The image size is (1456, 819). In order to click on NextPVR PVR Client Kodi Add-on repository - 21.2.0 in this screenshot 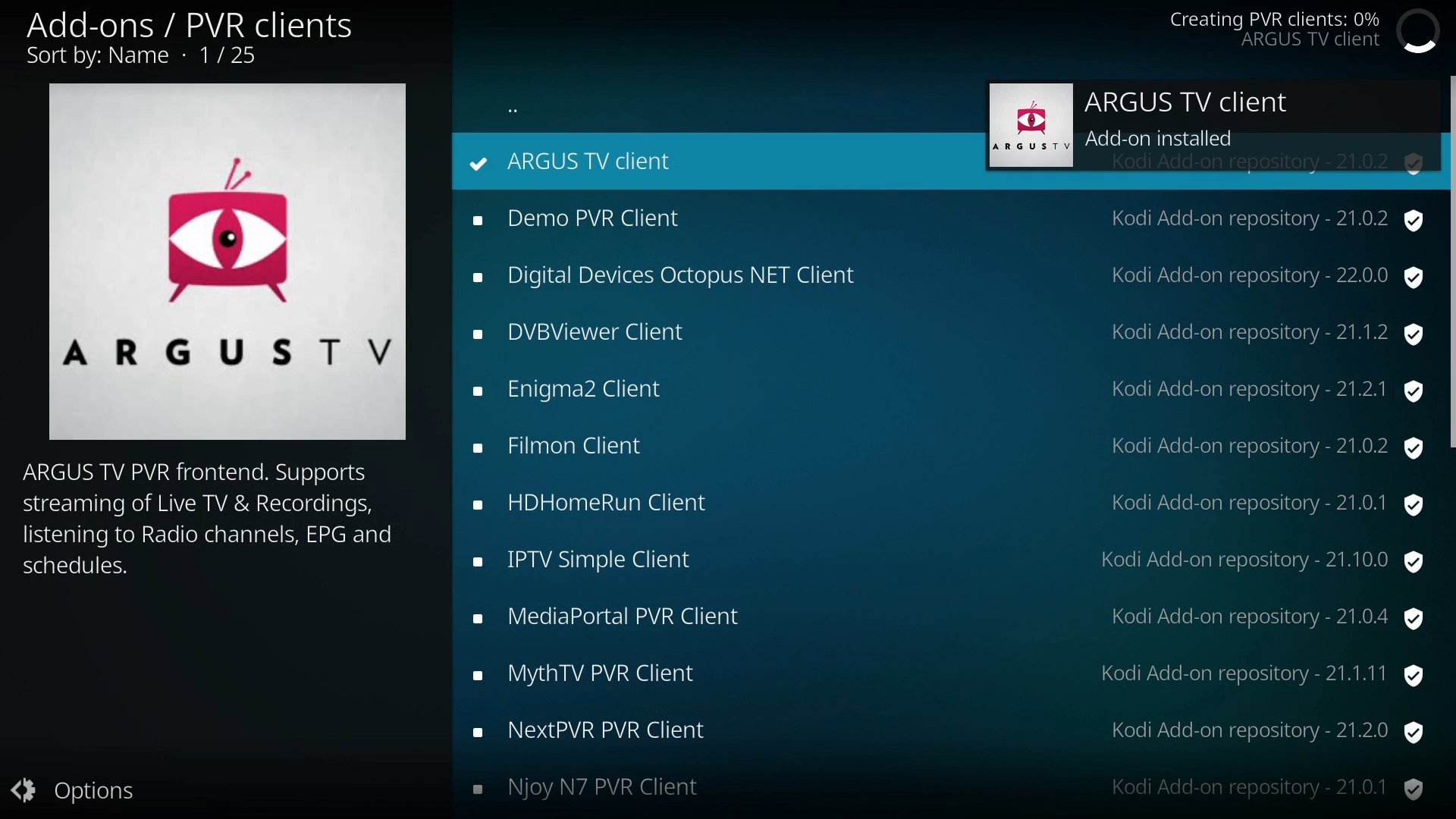, I will do `click(950, 733)`.